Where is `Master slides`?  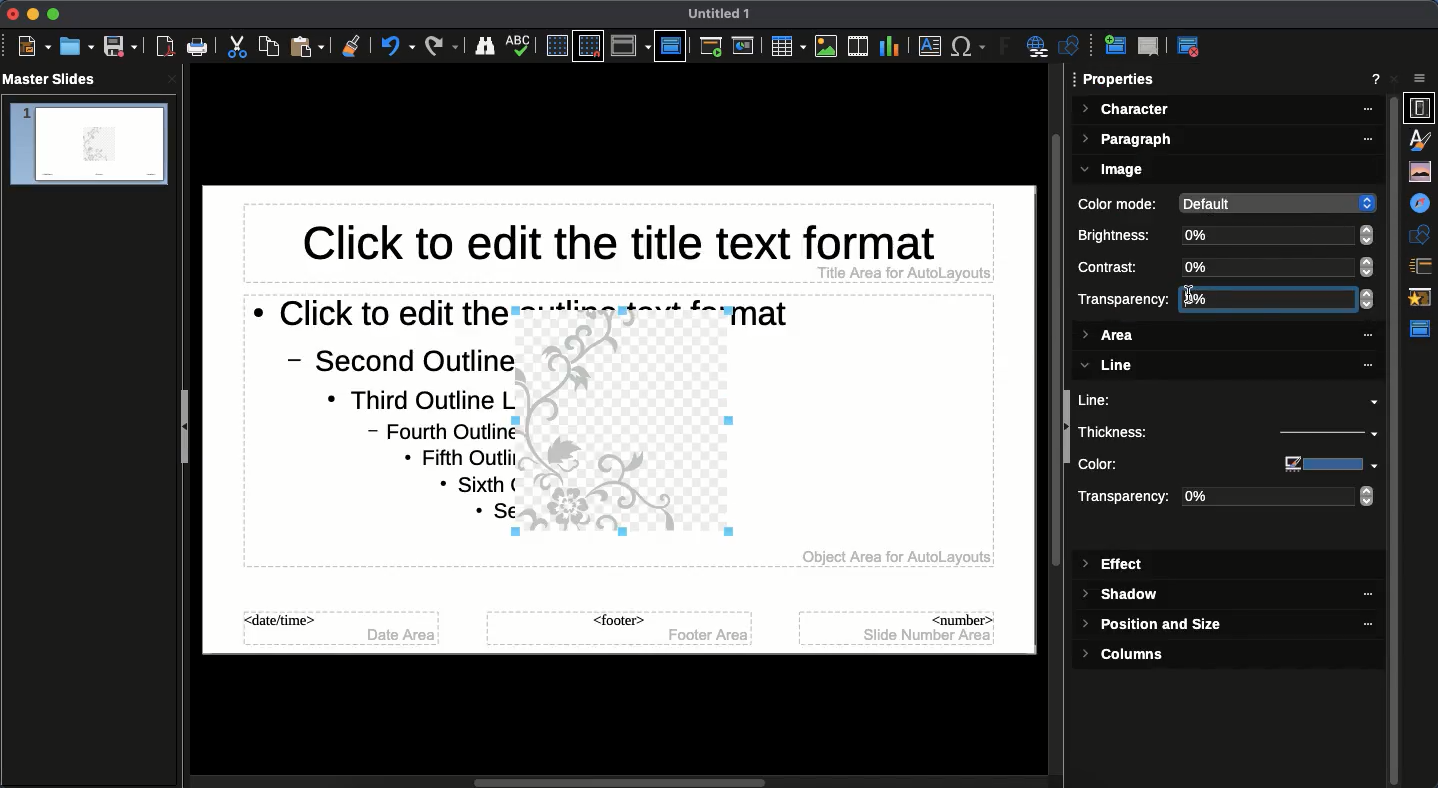
Master slides is located at coordinates (56, 80).